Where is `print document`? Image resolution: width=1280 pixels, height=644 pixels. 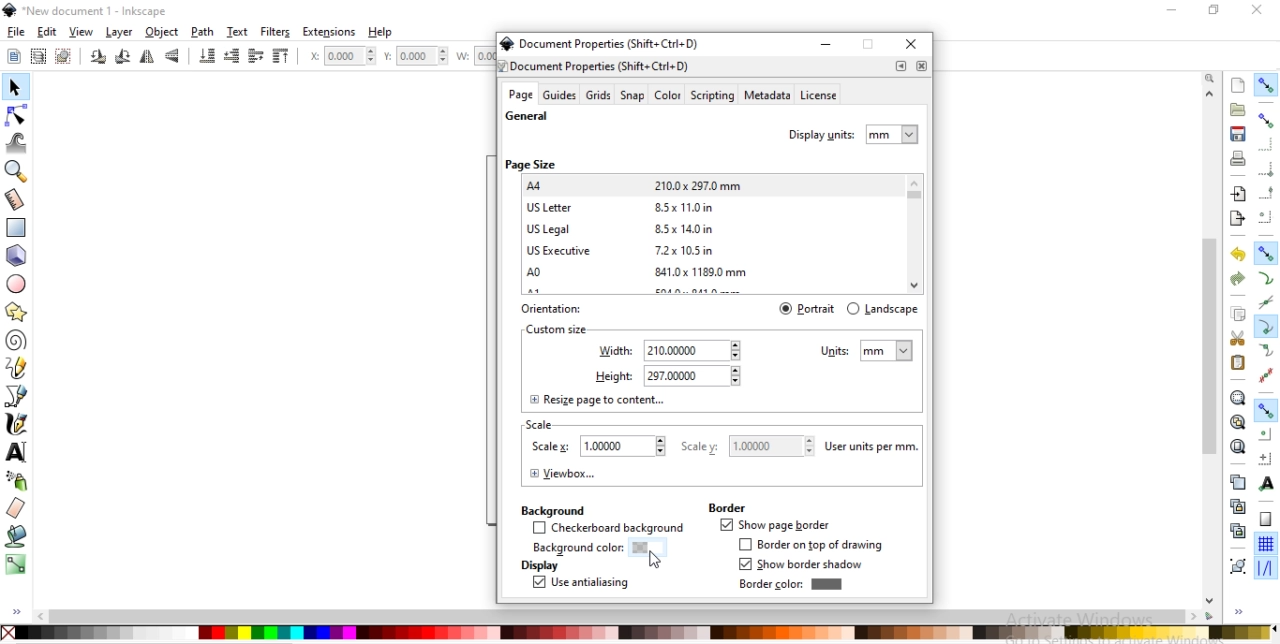 print document is located at coordinates (1236, 158).